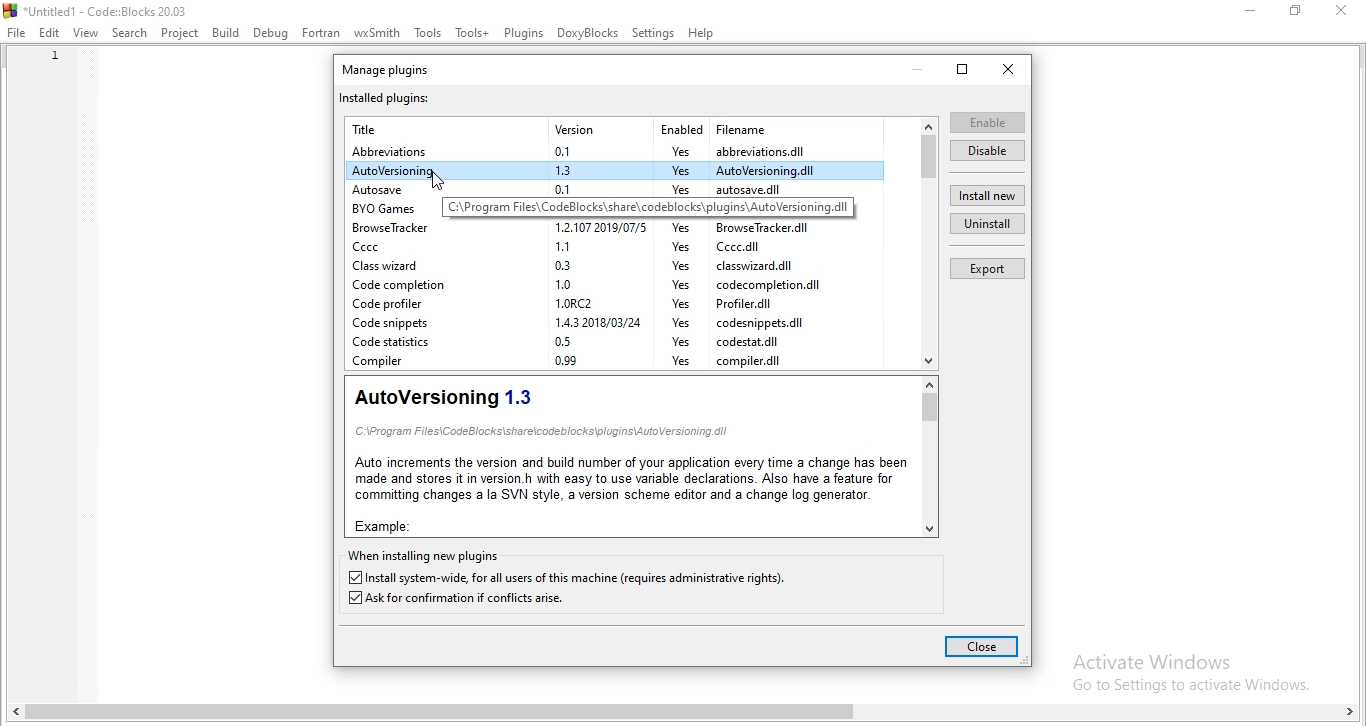  What do you see at coordinates (1245, 9) in the screenshot?
I see `minimise` at bounding box center [1245, 9].